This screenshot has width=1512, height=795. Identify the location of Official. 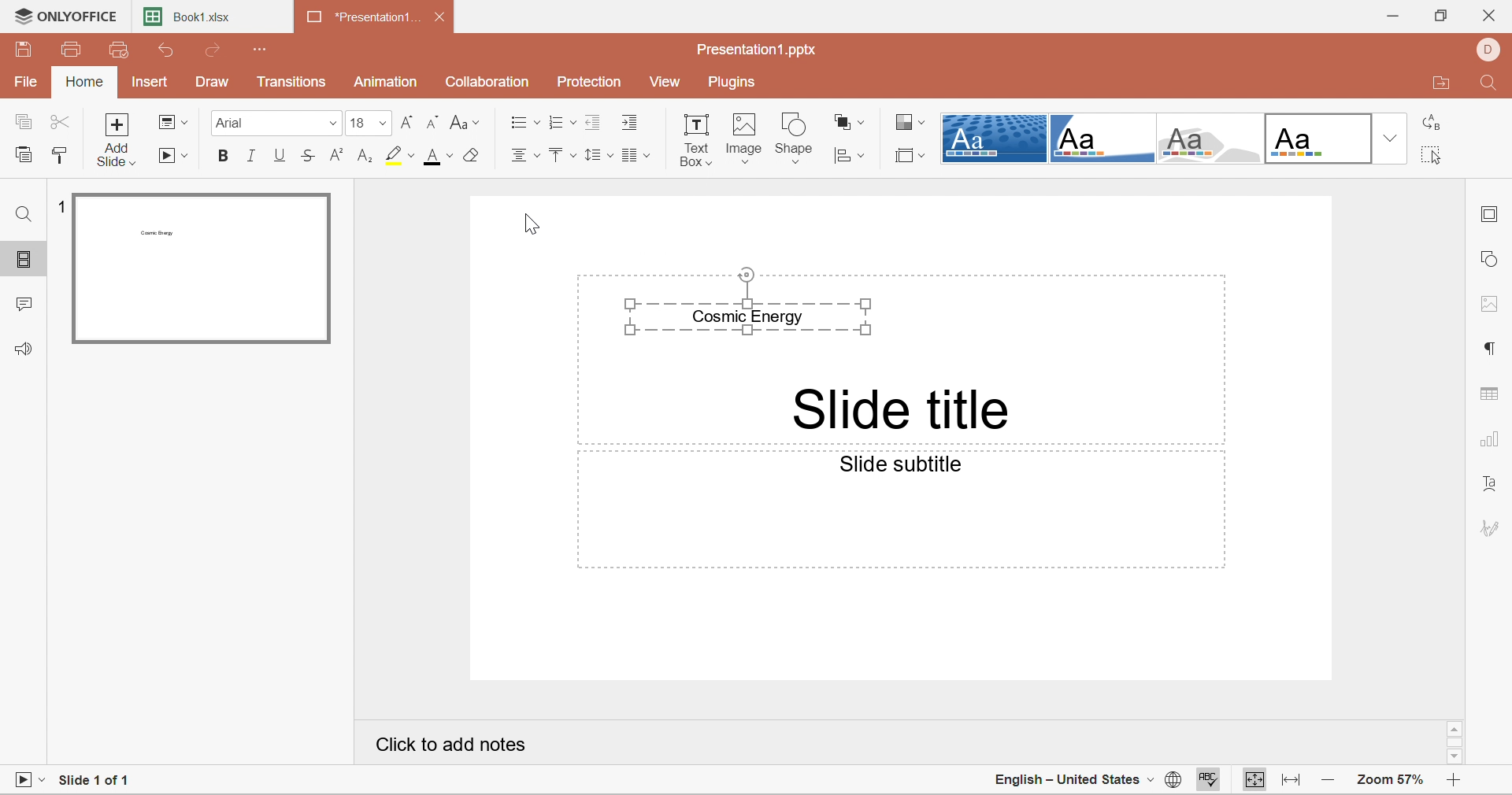
(1321, 139).